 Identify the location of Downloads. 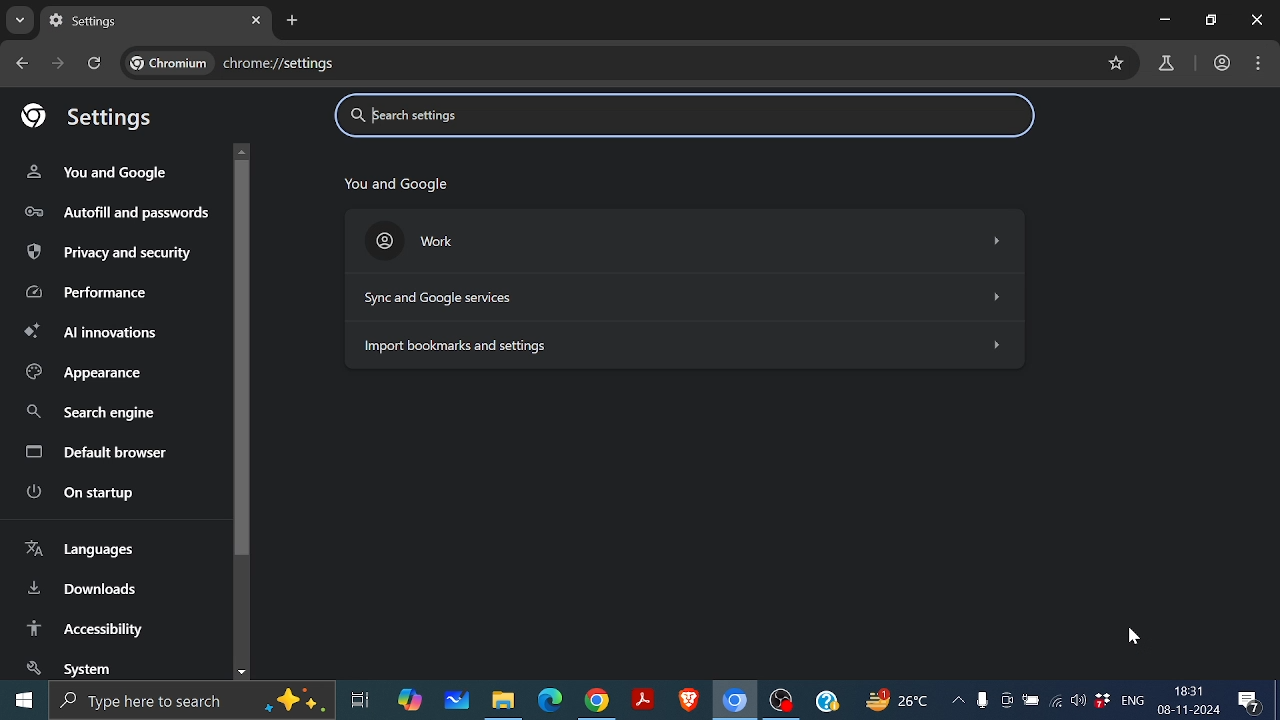
(89, 590).